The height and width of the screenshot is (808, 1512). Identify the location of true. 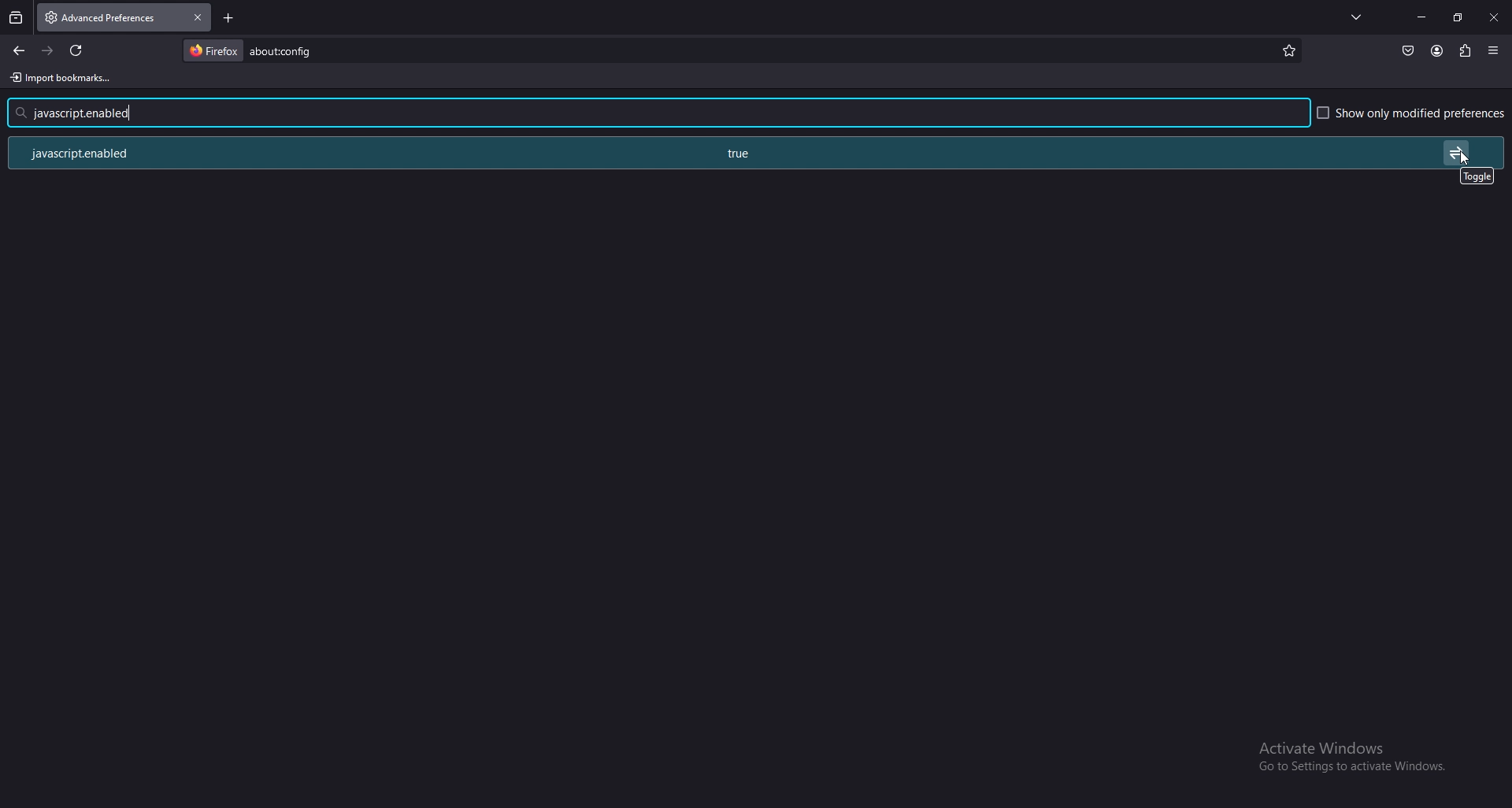
(743, 154).